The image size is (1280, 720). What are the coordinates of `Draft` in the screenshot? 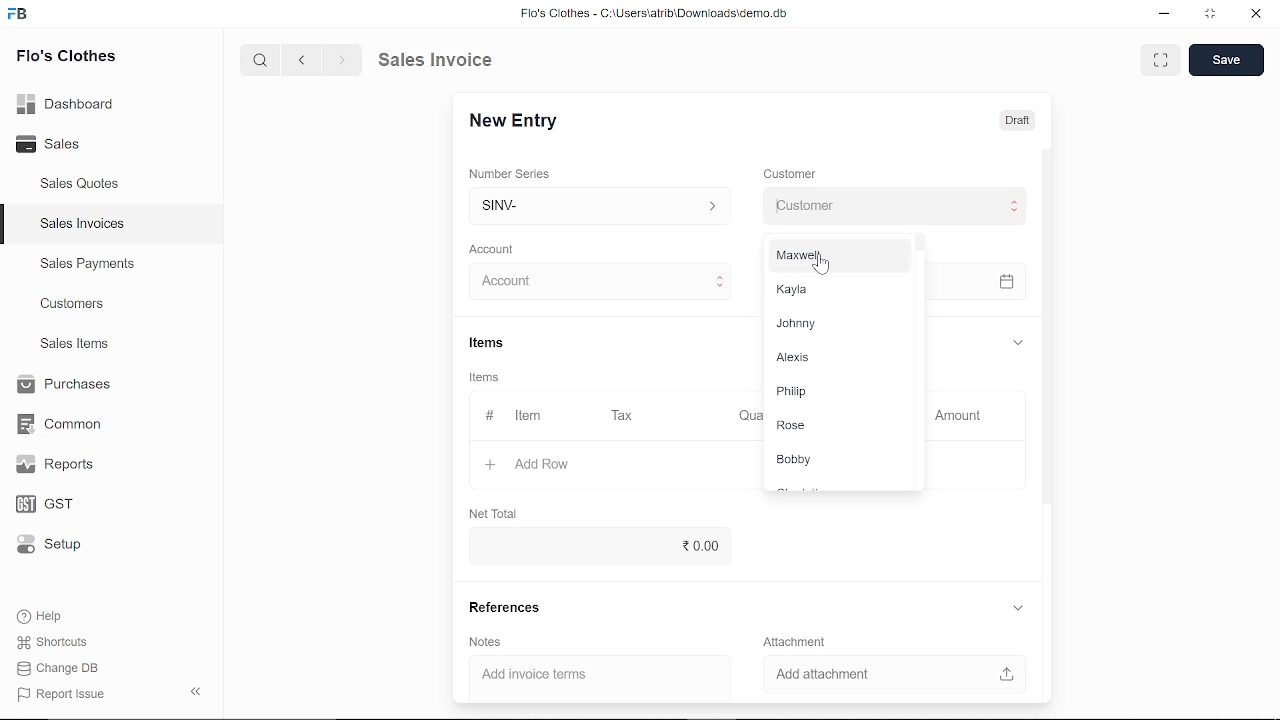 It's located at (1021, 118).